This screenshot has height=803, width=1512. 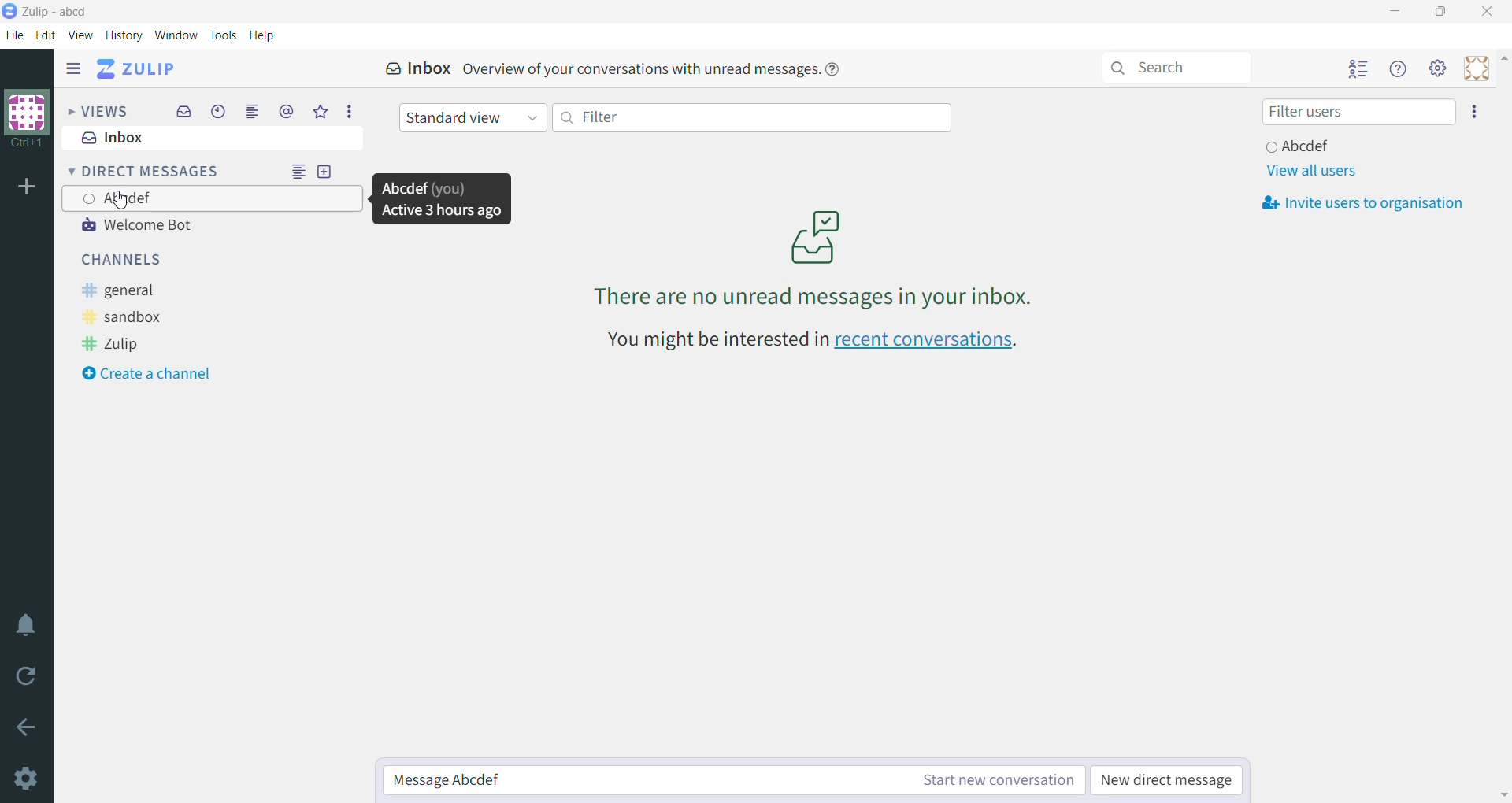 I want to click on User and status, so click(x=441, y=198).